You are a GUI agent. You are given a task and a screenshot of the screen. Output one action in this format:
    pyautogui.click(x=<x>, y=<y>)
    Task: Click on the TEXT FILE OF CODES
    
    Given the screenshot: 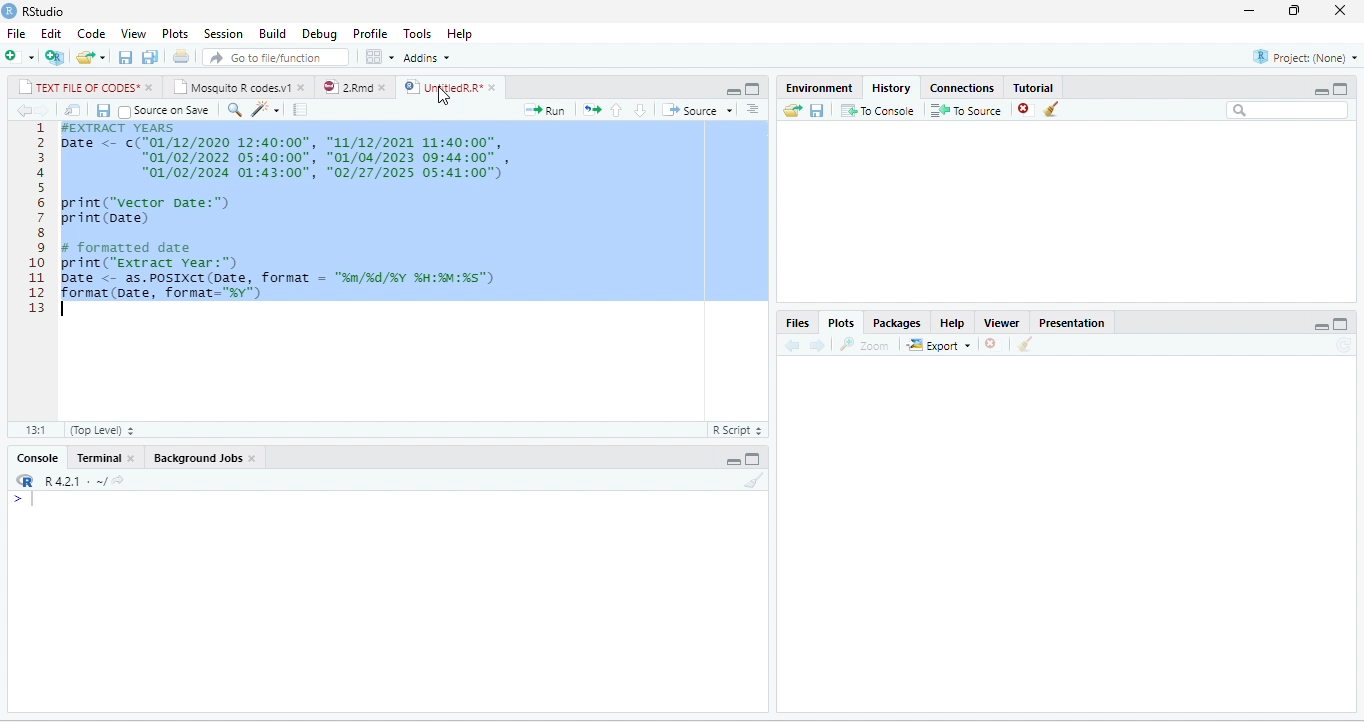 What is the action you would take?
    pyautogui.click(x=78, y=87)
    